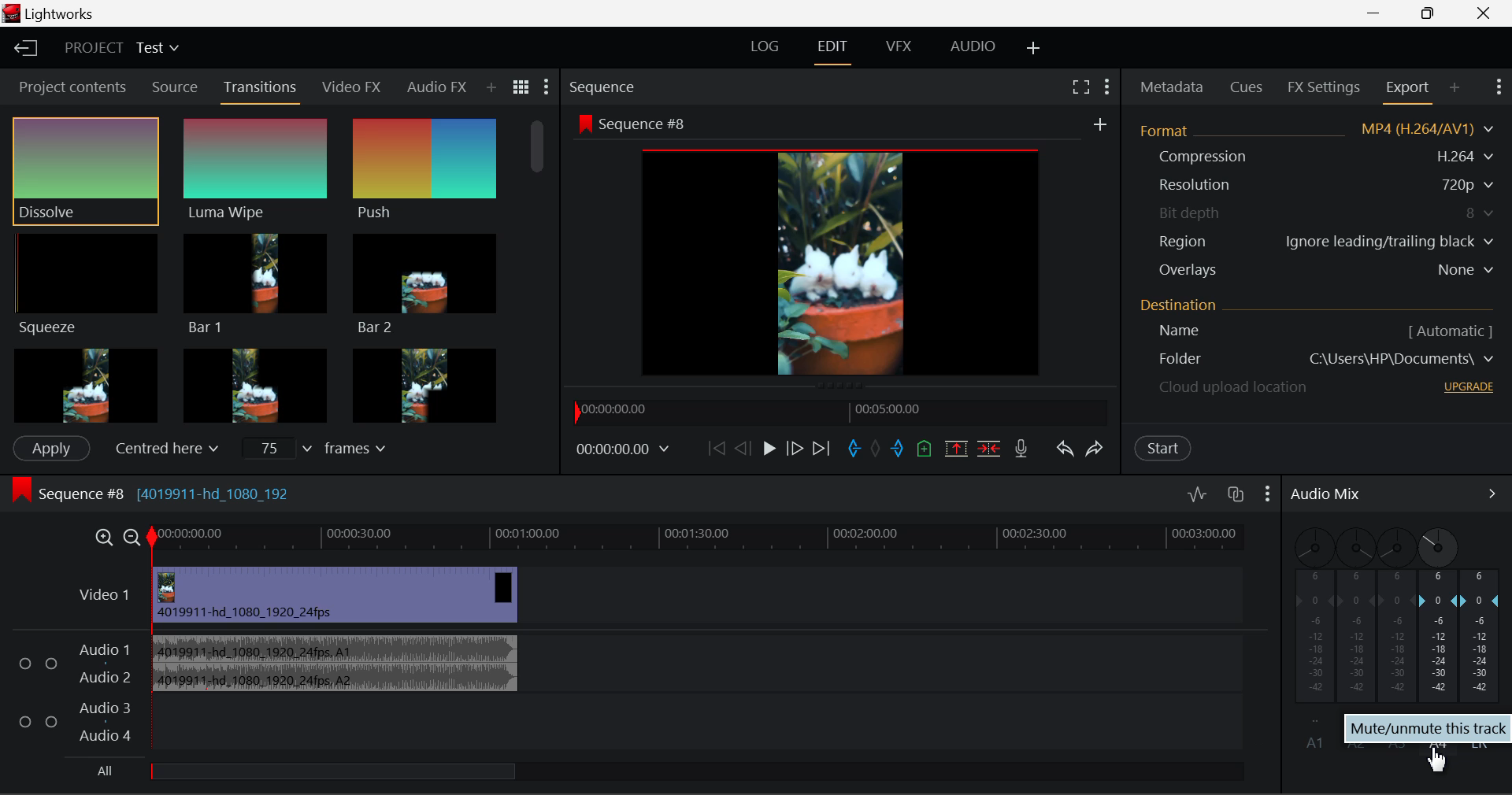 The image size is (1512, 795). What do you see at coordinates (1405, 91) in the screenshot?
I see `Export` at bounding box center [1405, 91].